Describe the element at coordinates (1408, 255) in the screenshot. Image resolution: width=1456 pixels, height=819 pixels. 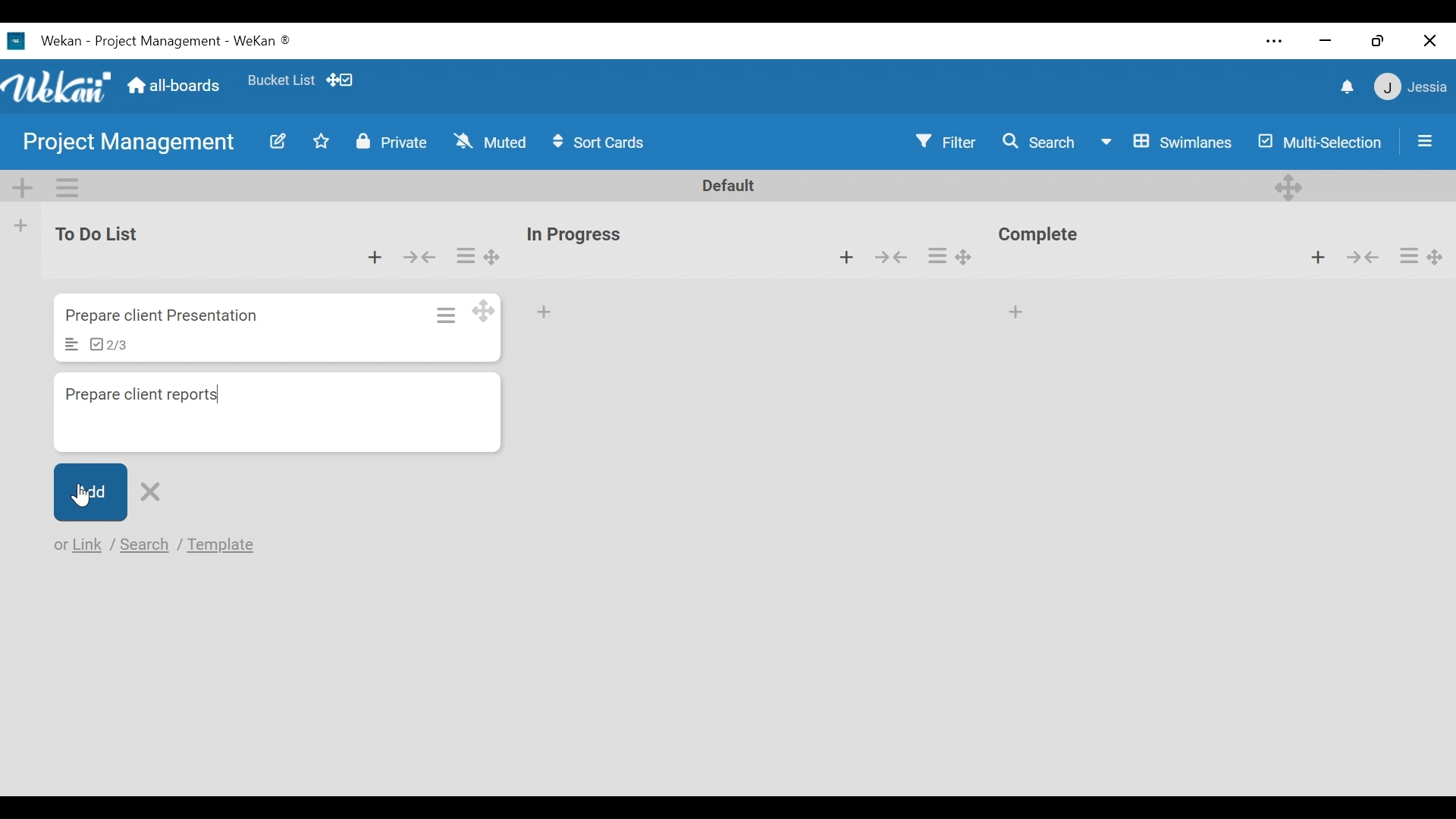
I see `Card actions` at that location.